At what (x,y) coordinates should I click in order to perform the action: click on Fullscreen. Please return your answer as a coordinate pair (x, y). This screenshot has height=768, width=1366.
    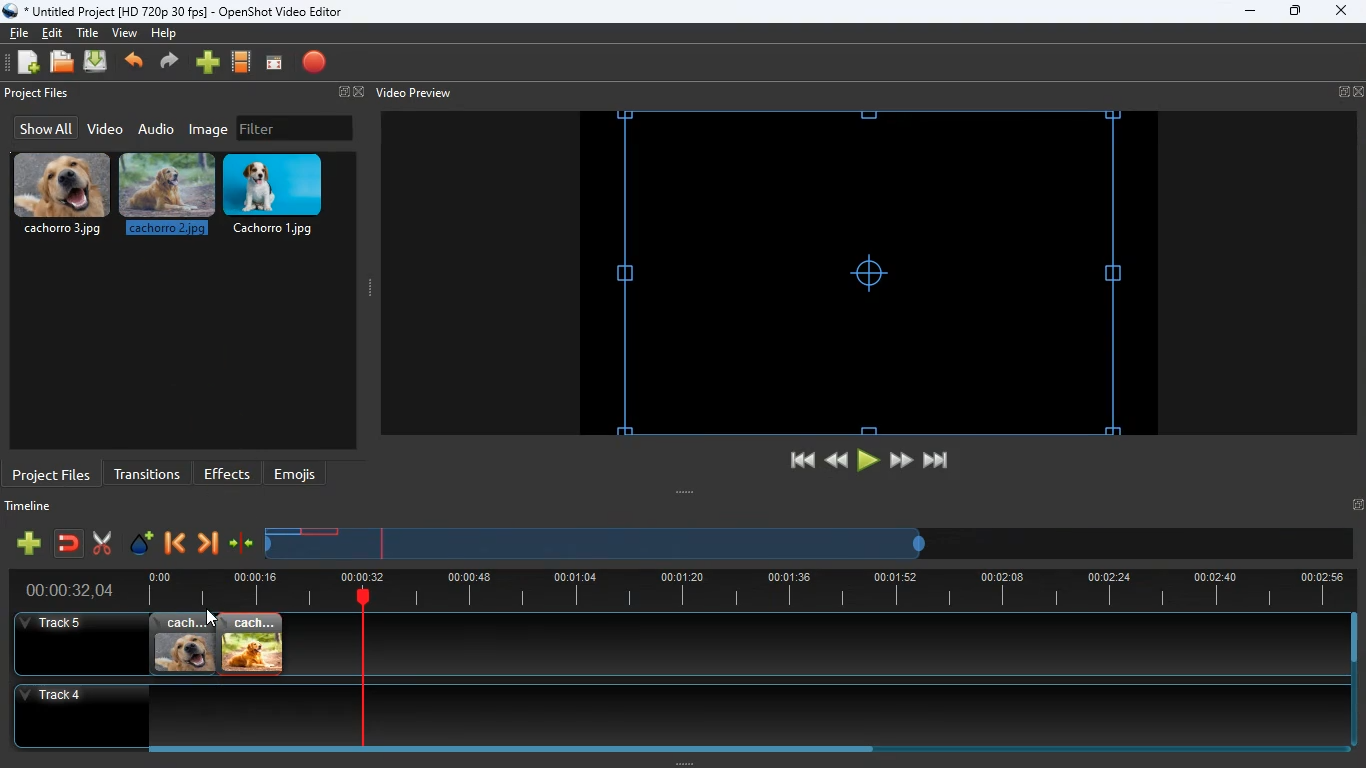
    Looking at the image, I should click on (1357, 504).